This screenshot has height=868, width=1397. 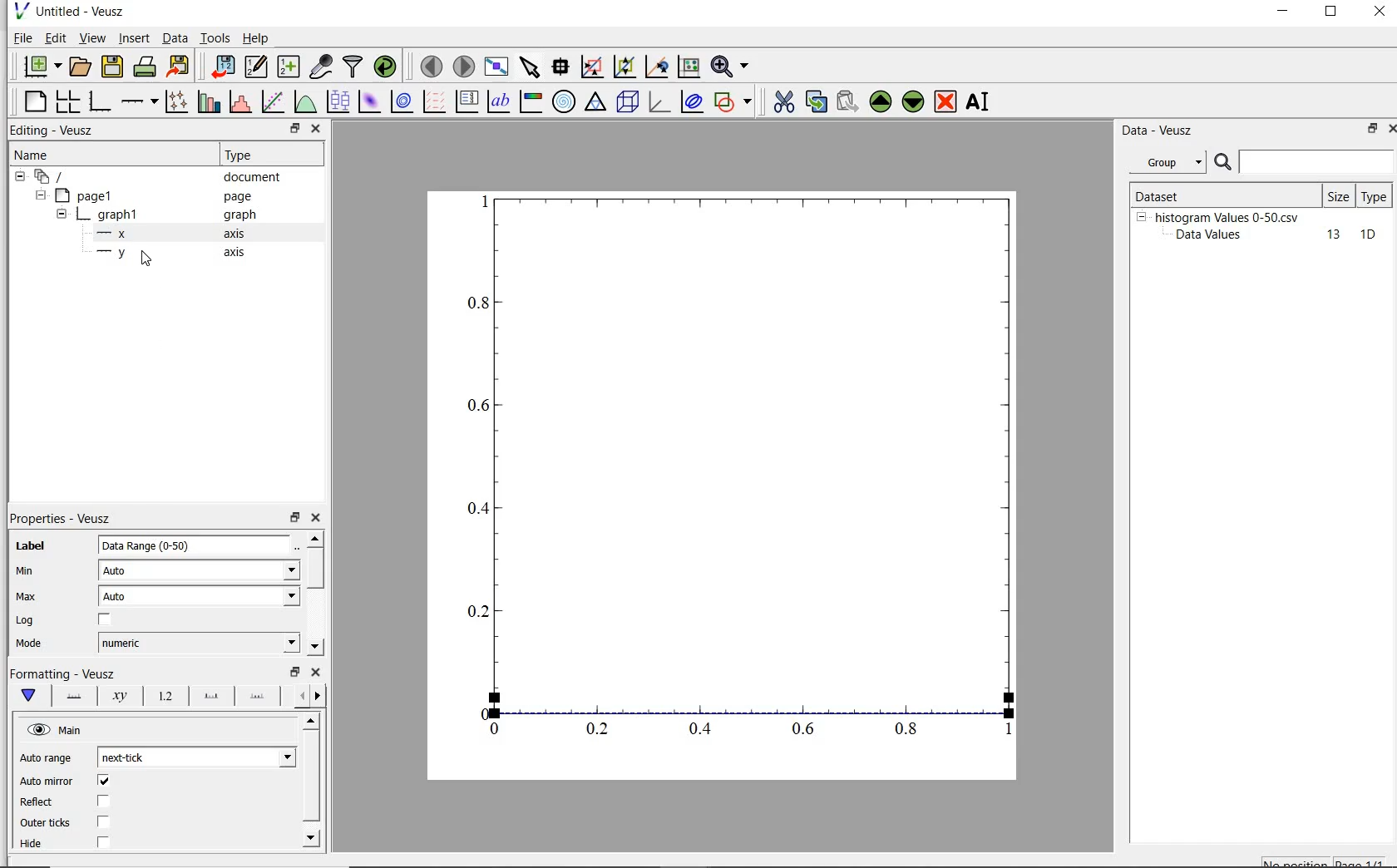 What do you see at coordinates (31, 696) in the screenshot?
I see `main formatting` at bounding box center [31, 696].